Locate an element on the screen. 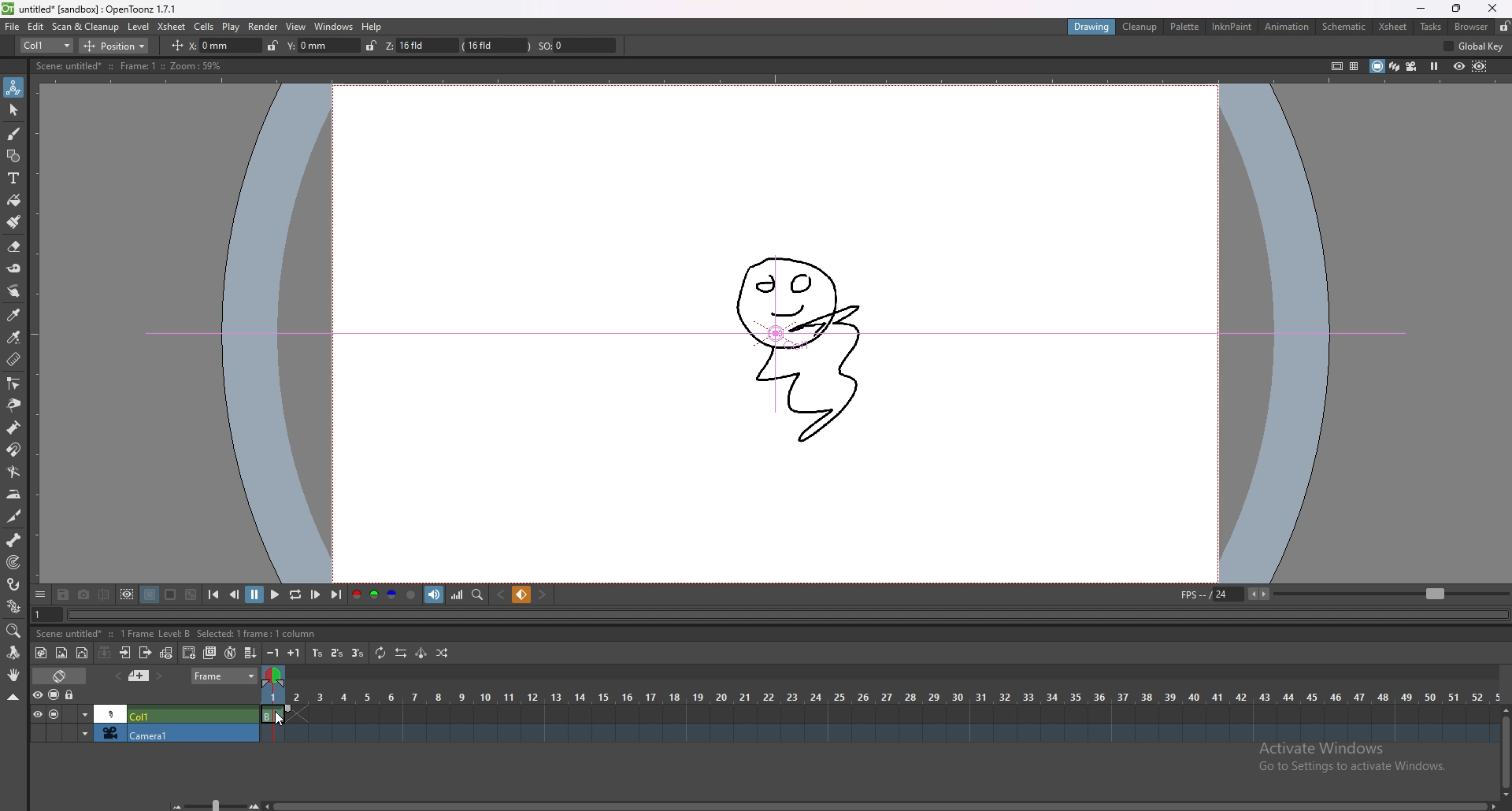 This screenshot has width=1512, height=811. finger is located at coordinates (16, 291).